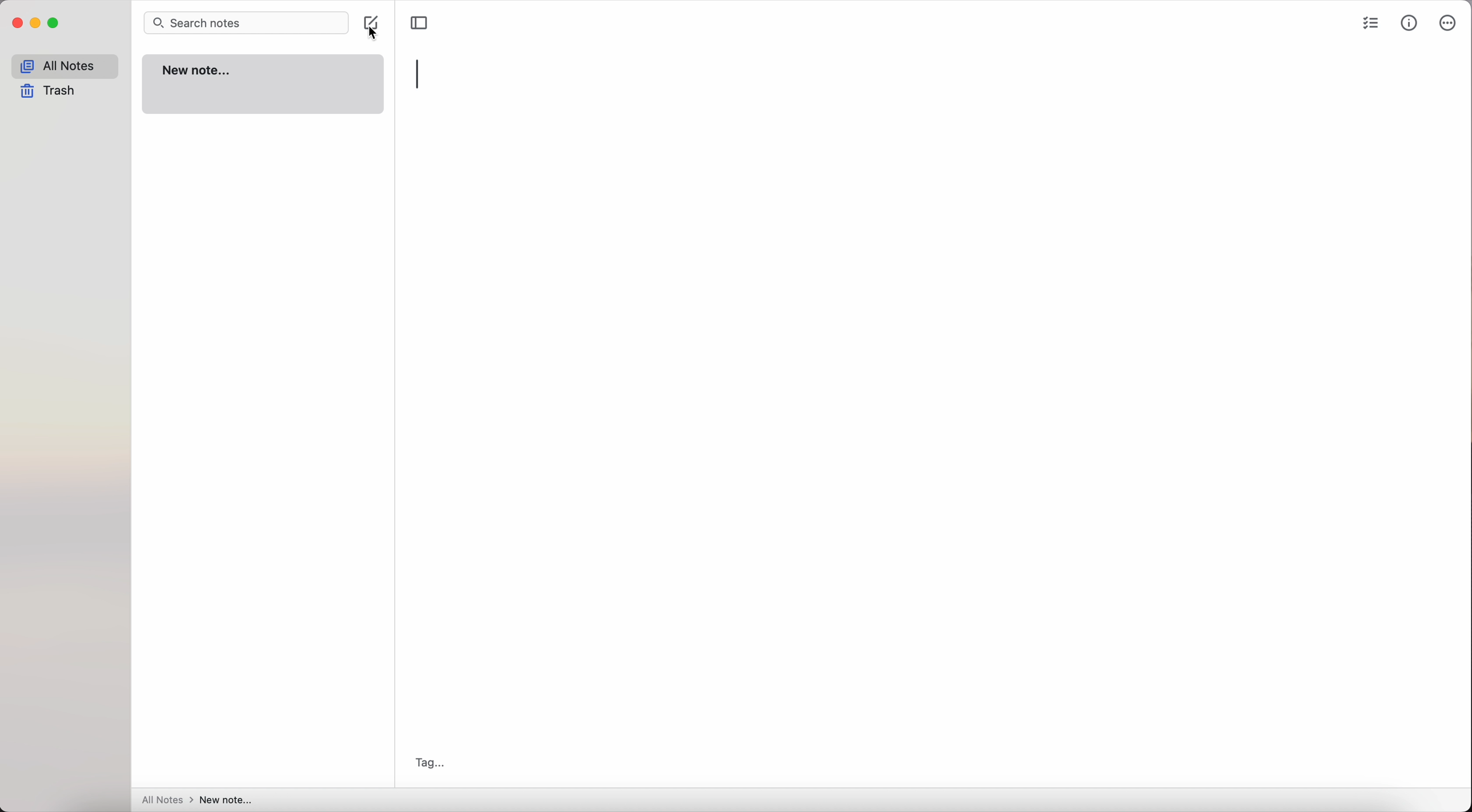  I want to click on search bar, so click(246, 24).